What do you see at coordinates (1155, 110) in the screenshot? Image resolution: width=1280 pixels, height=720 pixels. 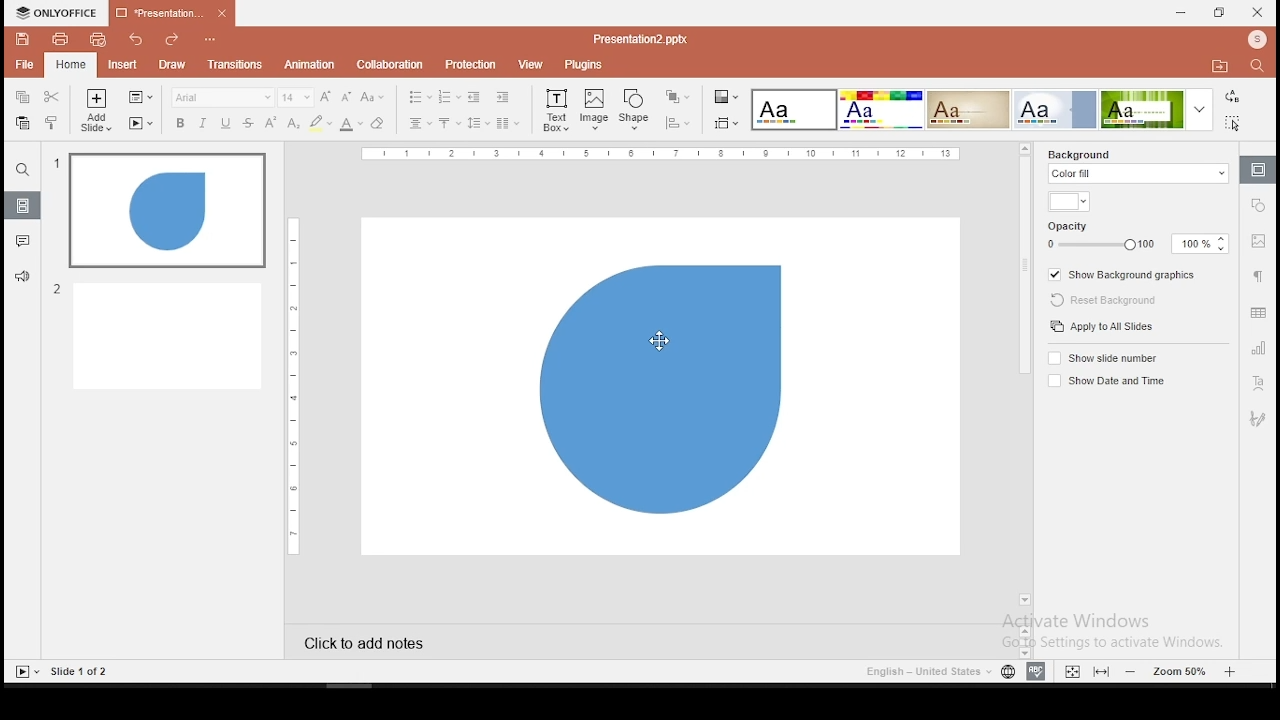 I see `theme` at bounding box center [1155, 110].